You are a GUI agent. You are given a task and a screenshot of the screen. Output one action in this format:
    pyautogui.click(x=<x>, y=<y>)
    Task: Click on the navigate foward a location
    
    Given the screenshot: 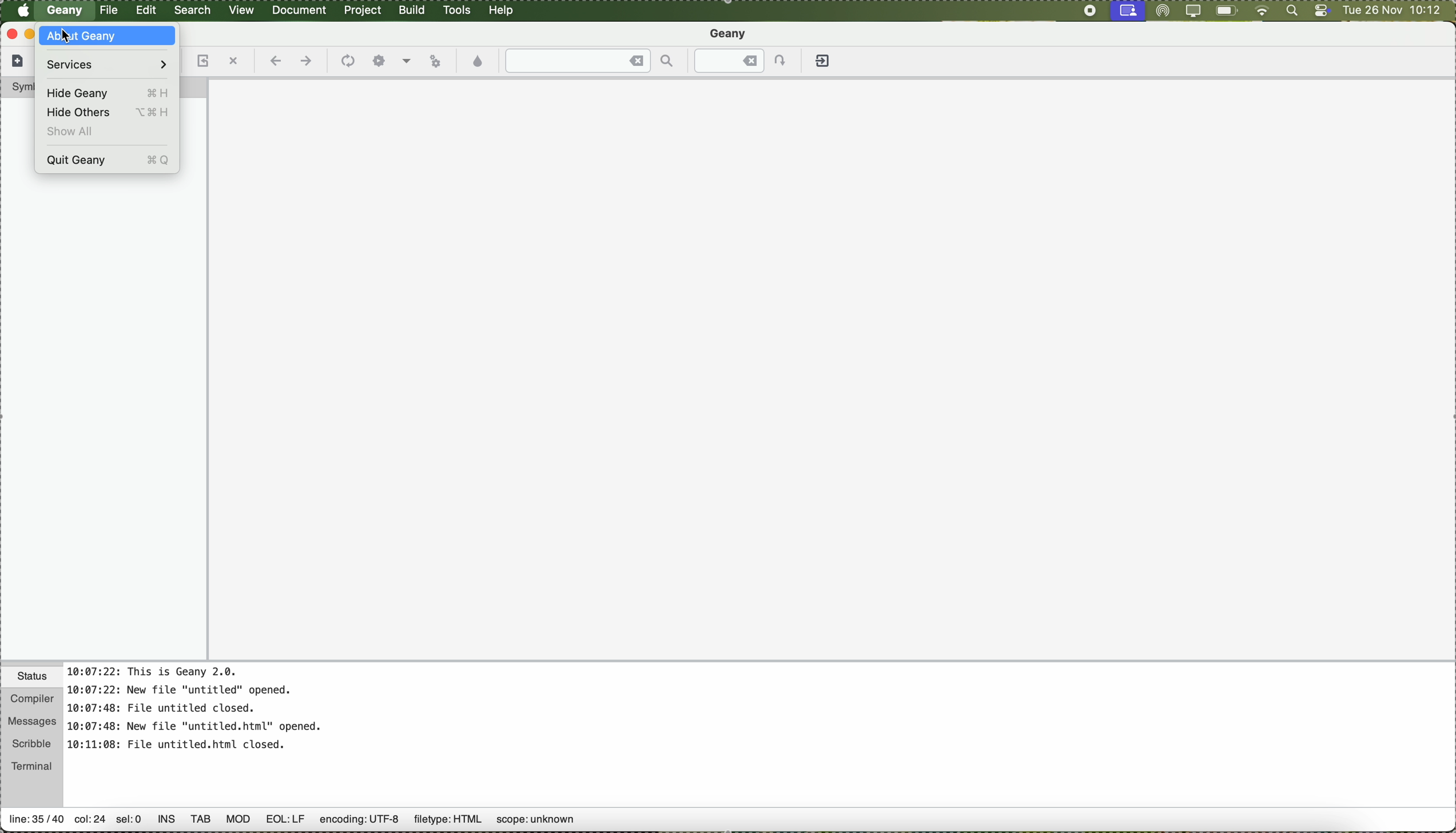 What is the action you would take?
    pyautogui.click(x=306, y=62)
    